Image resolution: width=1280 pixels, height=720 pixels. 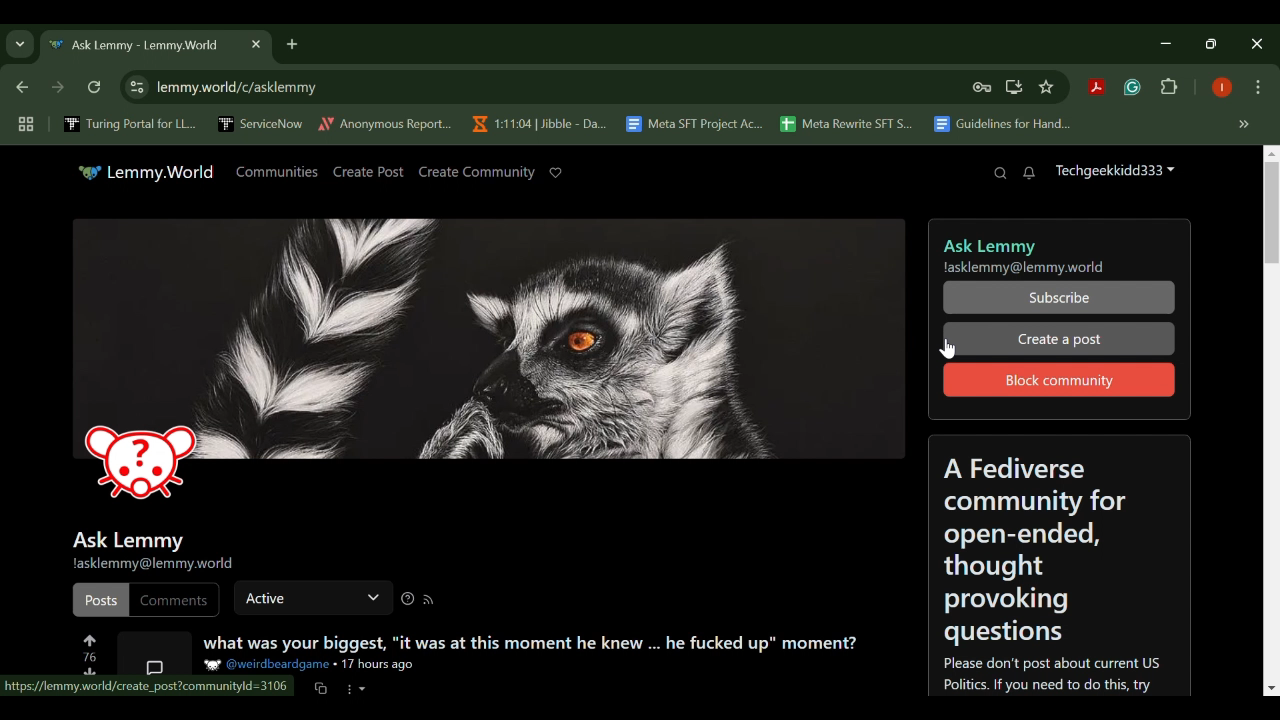 I want to click on Post Icon, so click(x=152, y=654).